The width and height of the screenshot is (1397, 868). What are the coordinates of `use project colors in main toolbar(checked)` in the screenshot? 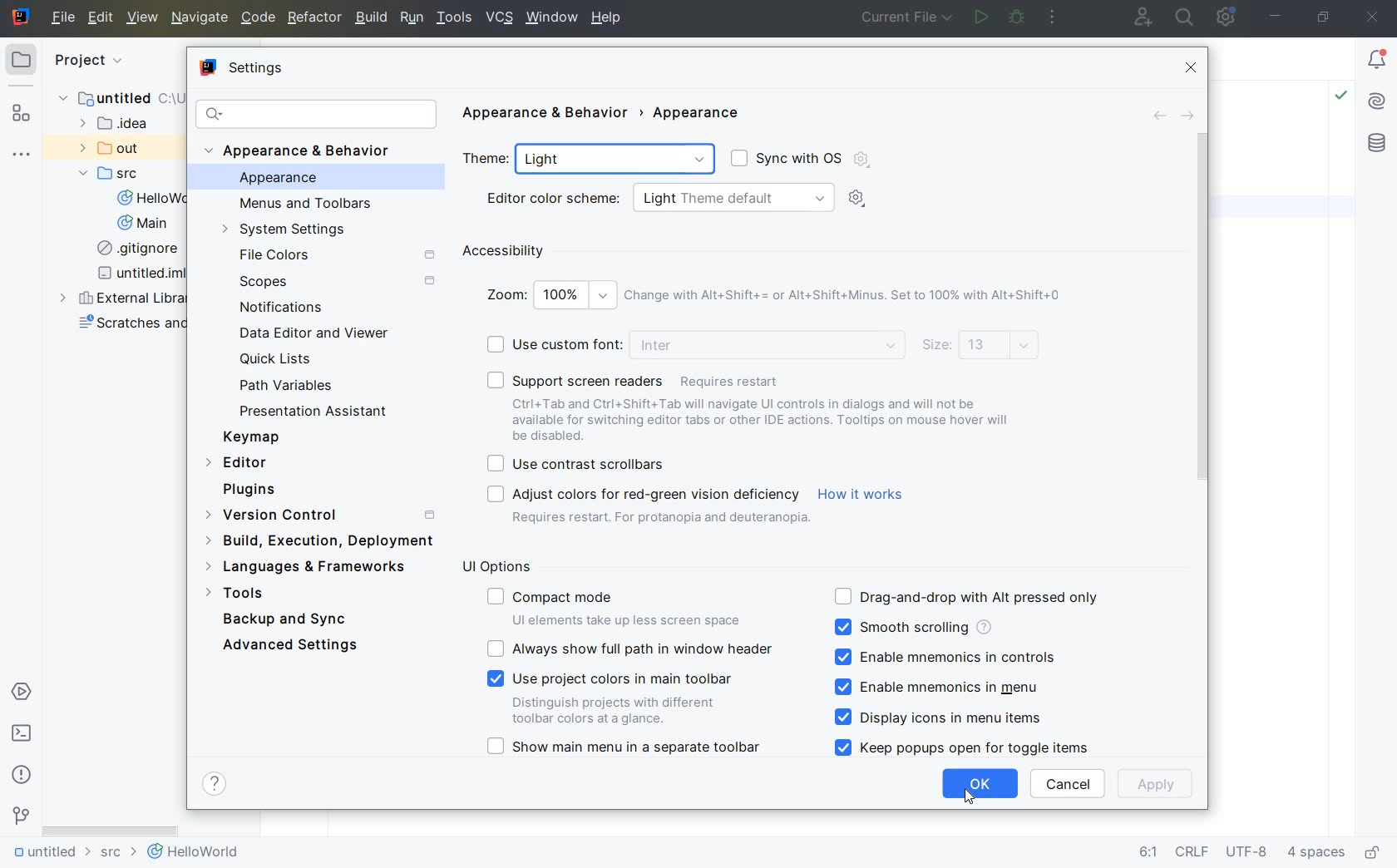 It's located at (618, 697).